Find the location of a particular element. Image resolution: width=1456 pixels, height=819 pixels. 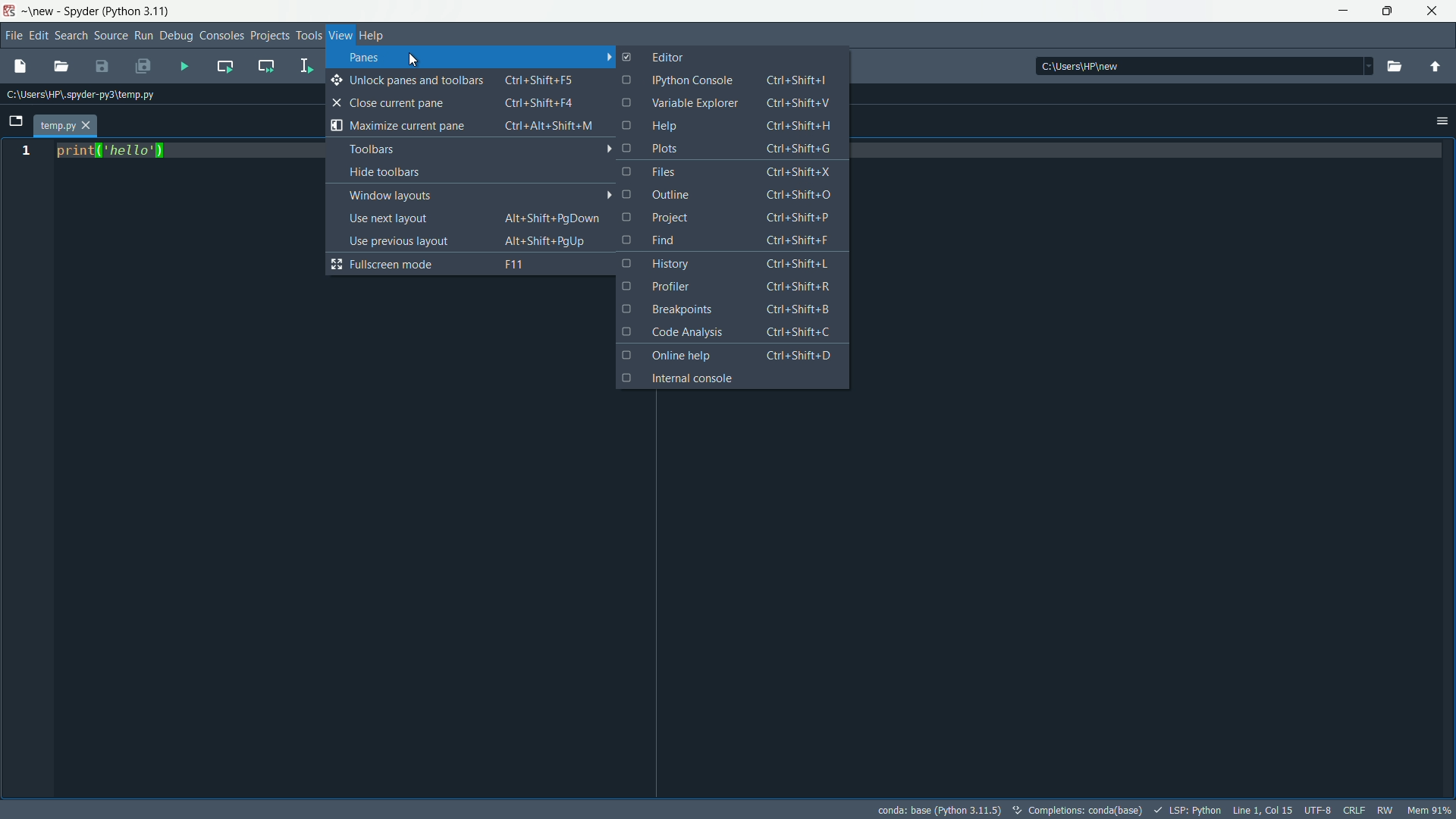

file menu is located at coordinates (12, 36).